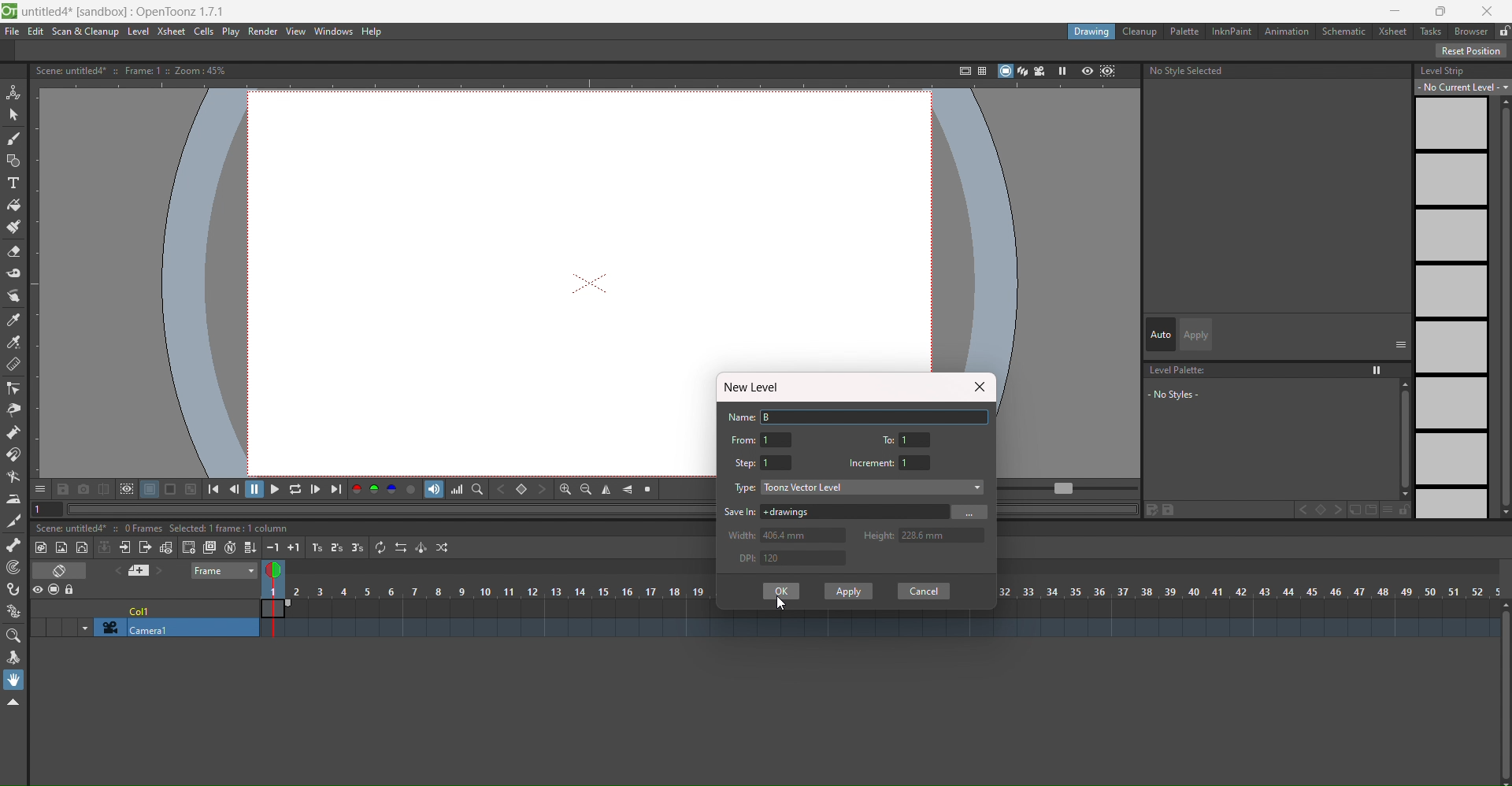 This screenshot has height=786, width=1512. What do you see at coordinates (943, 536) in the screenshot?
I see `228.6mm` at bounding box center [943, 536].